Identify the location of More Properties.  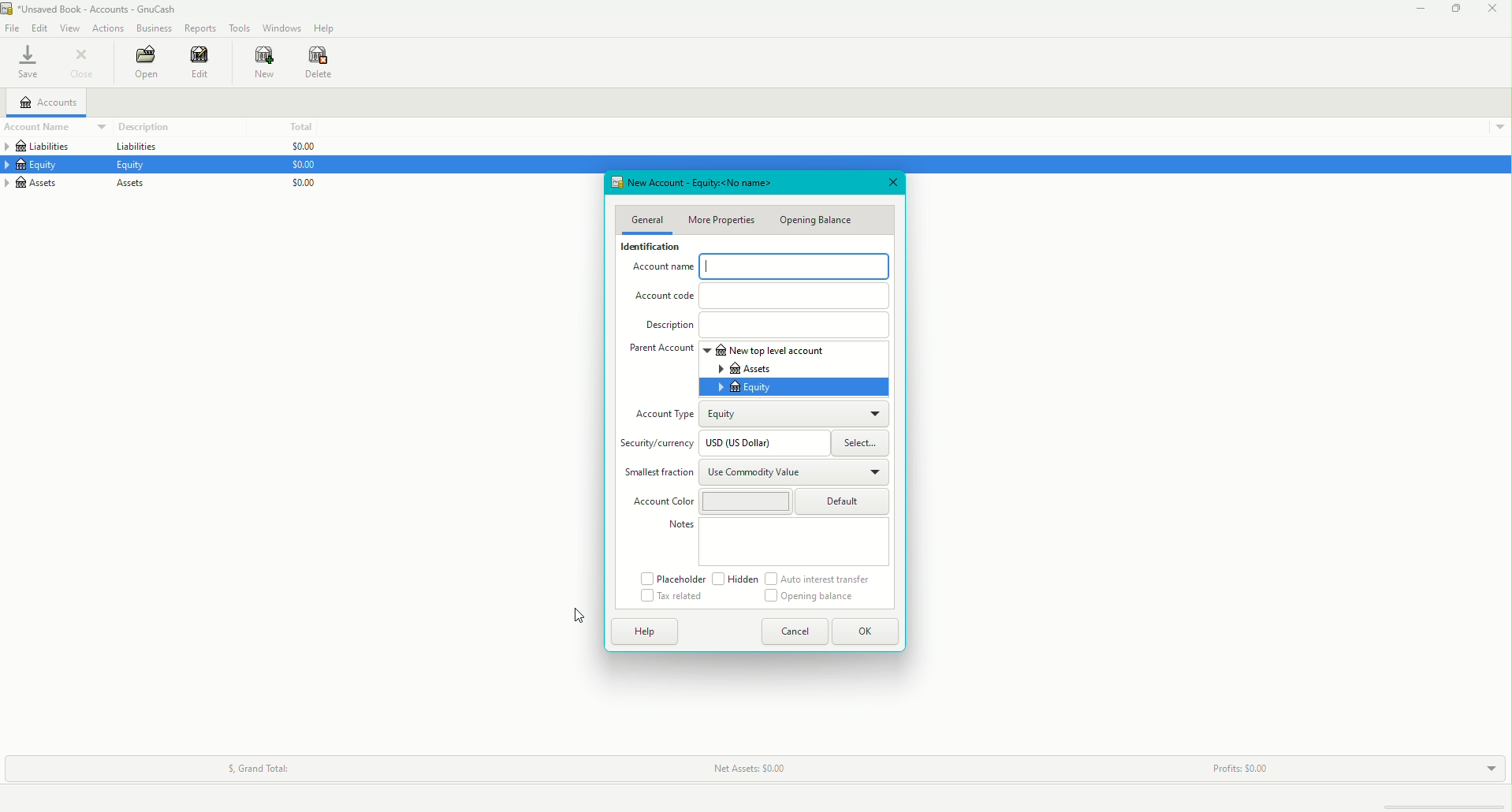
(721, 219).